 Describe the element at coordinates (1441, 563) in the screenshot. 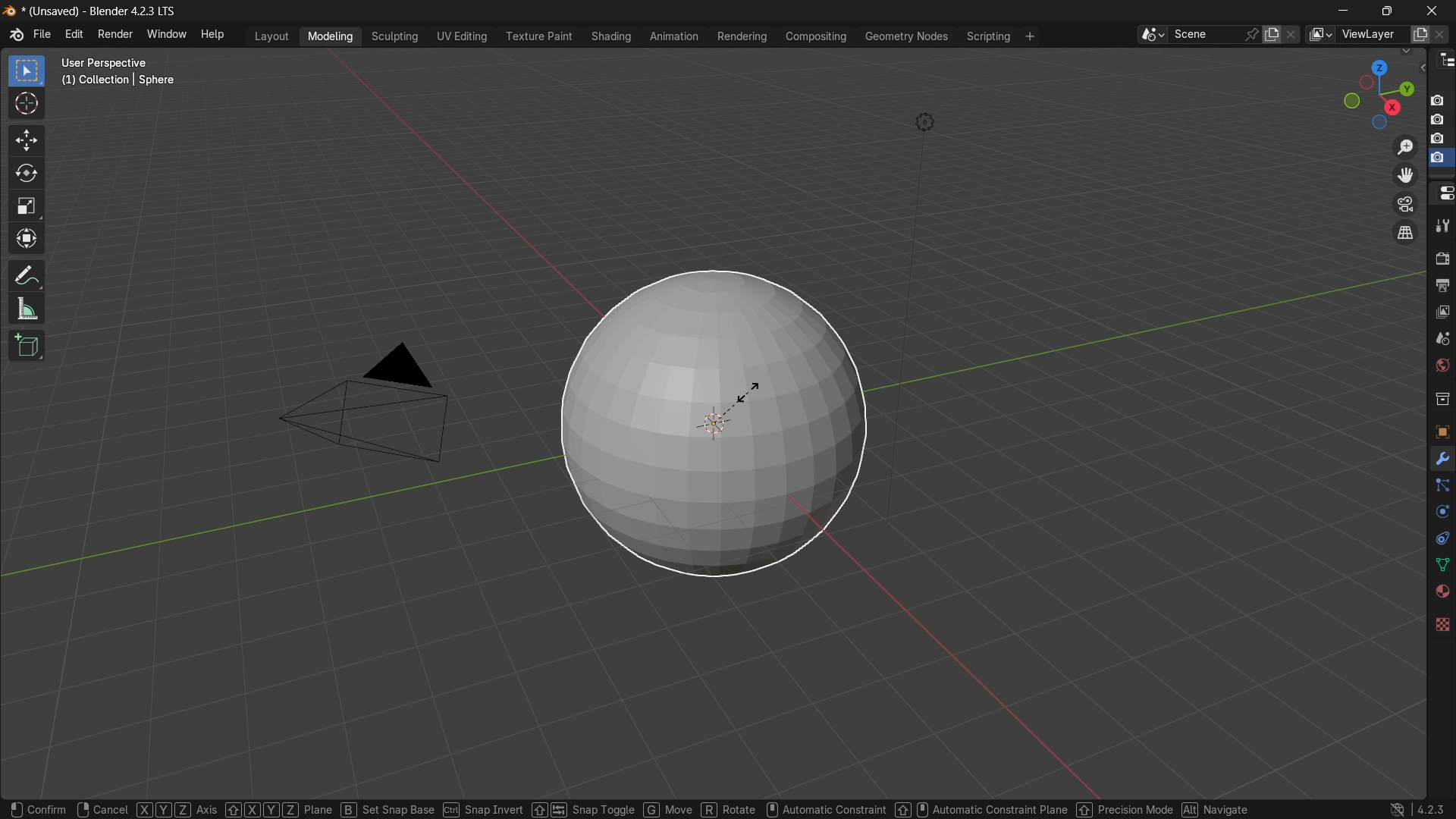

I see `data` at that location.